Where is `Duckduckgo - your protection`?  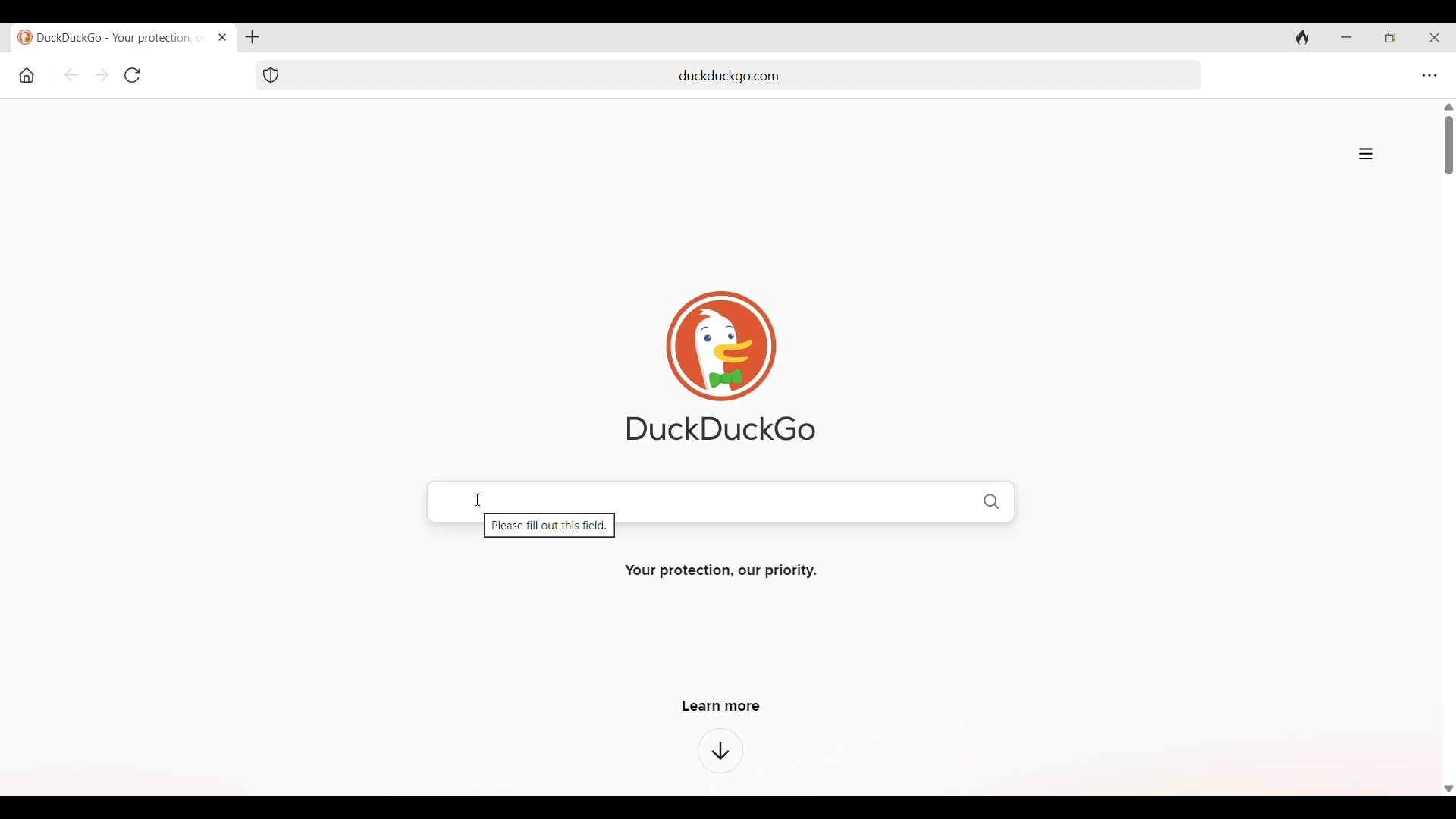
Duckduckgo - your protection is located at coordinates (114, 37).